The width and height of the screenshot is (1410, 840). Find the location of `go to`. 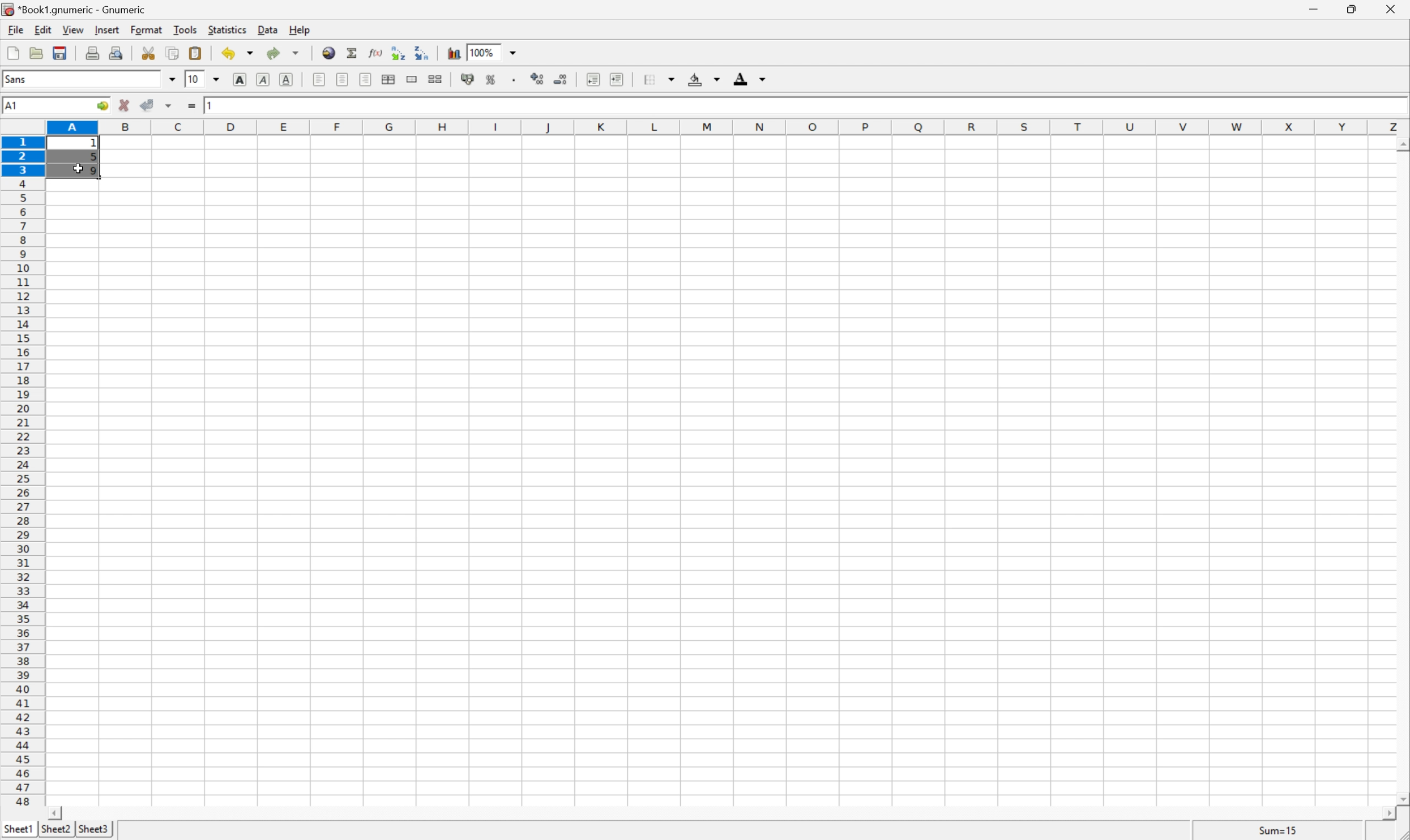

go to is located at coordinates (102, 106).